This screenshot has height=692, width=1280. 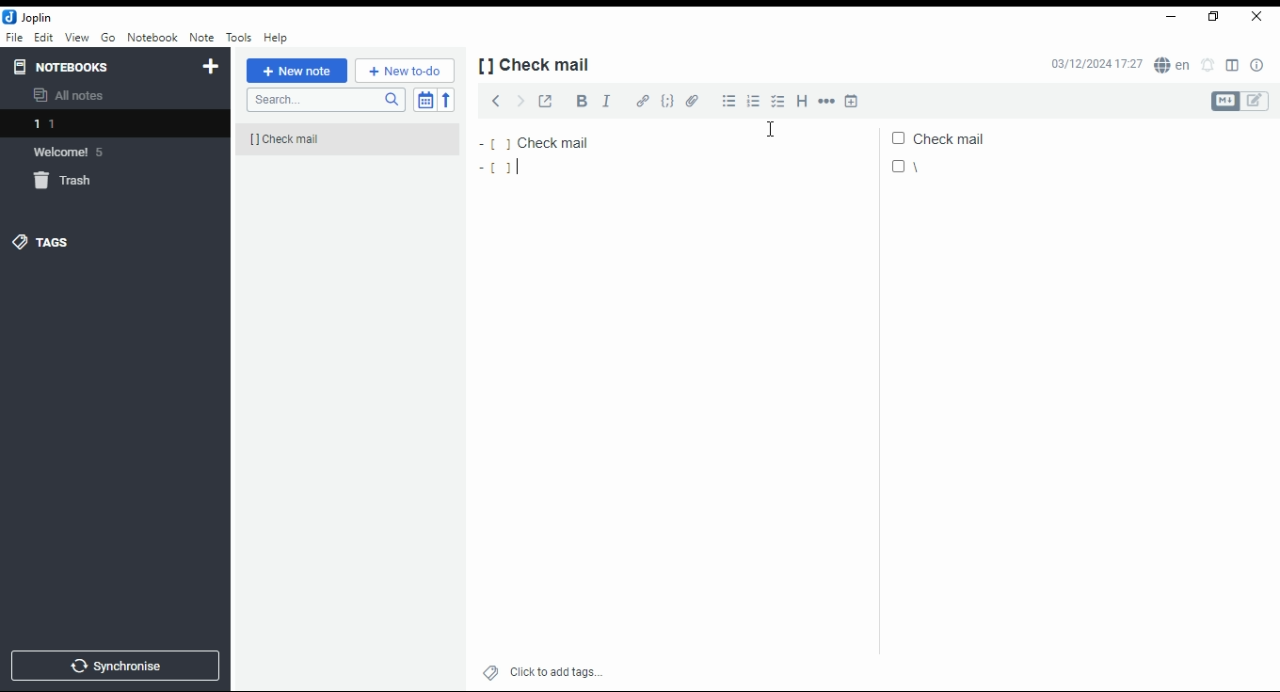 I want to click on note, so click(x=201, y=38).